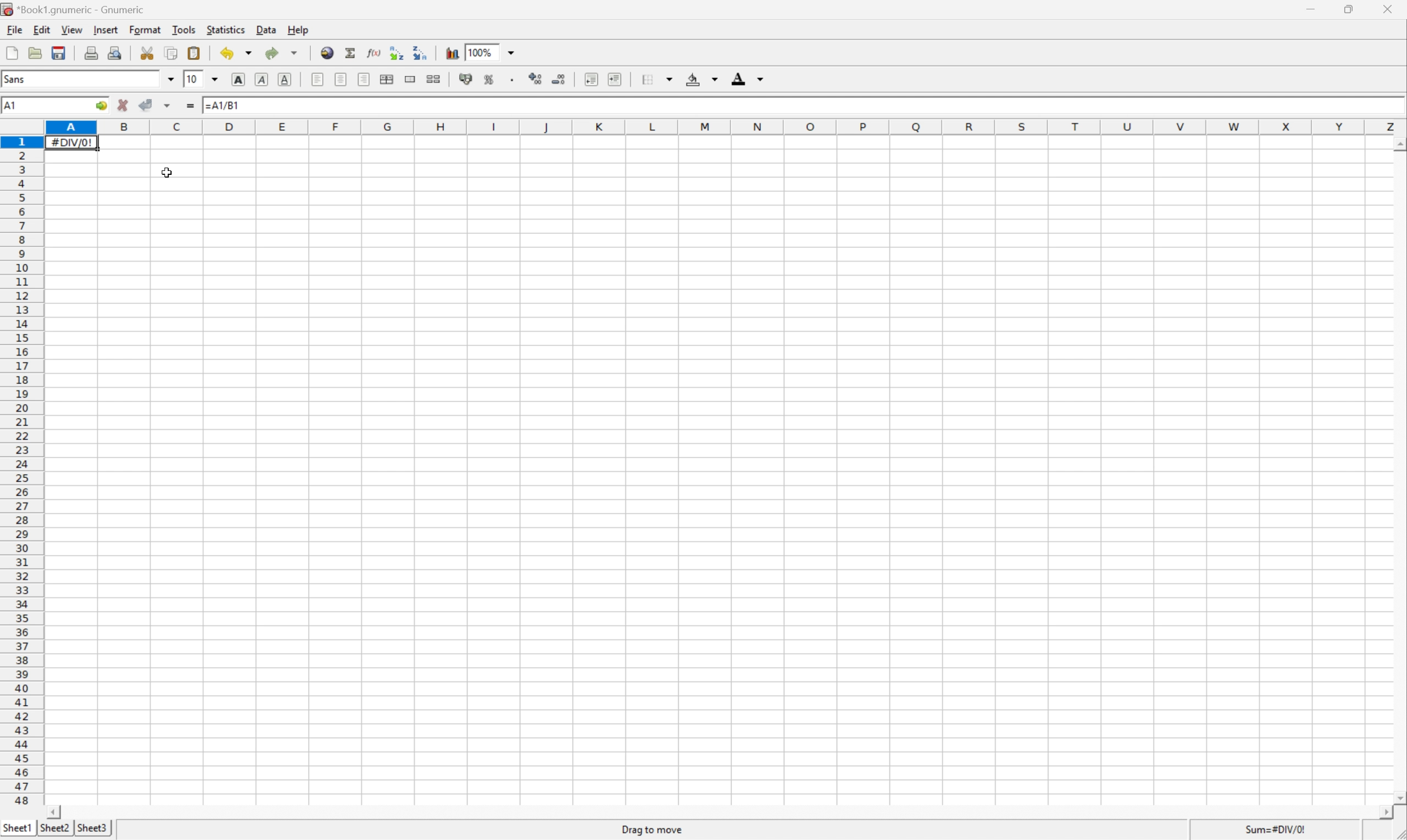 Image resolution: width=1407 pixels, height=840 pixels. Describe the element at coordinates (148, 52) in the screenshot. I see `Cut the selection` at that location.